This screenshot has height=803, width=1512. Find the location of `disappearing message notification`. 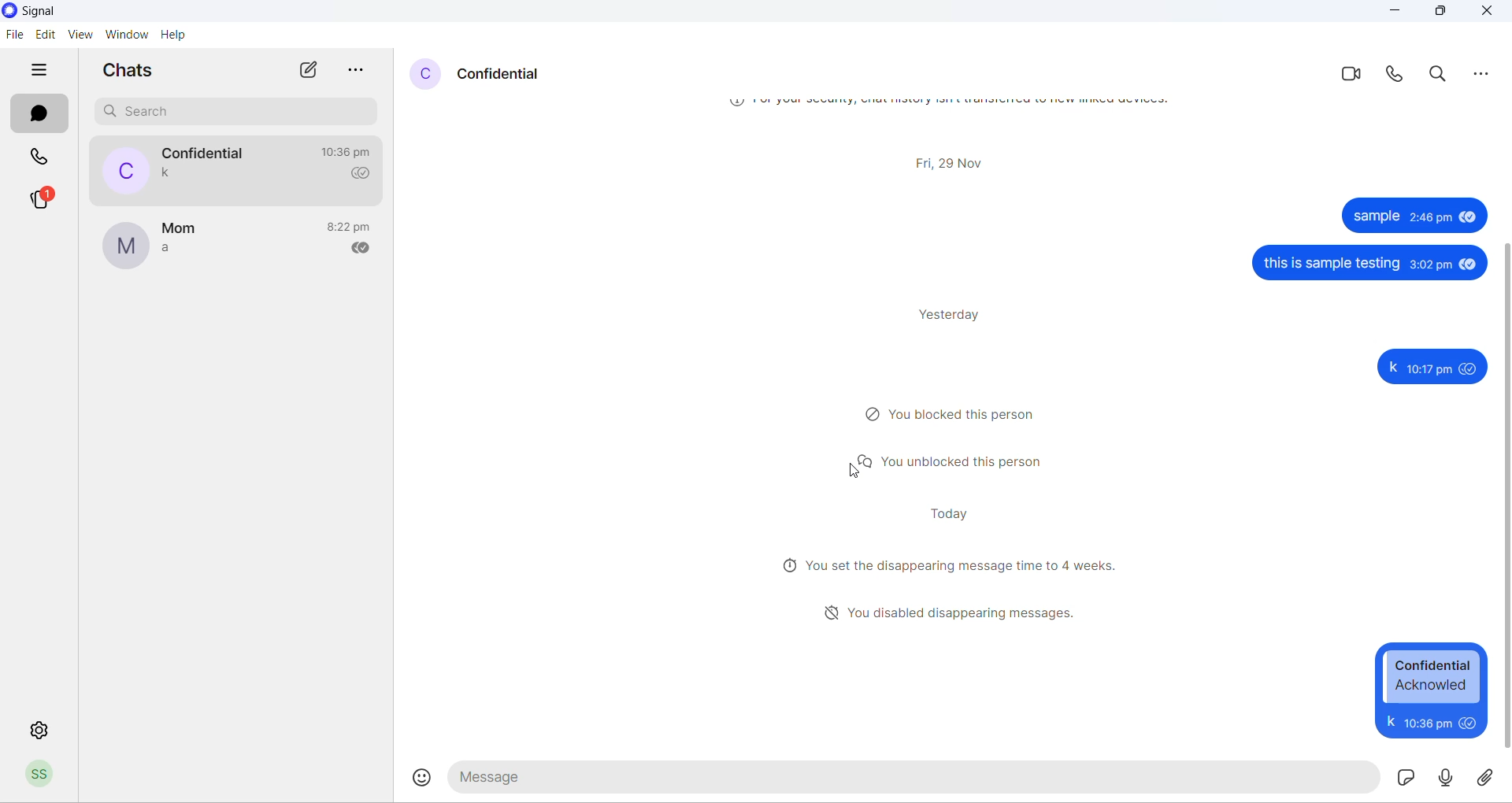

disappearing message notification is located at coordinates (938, 609).